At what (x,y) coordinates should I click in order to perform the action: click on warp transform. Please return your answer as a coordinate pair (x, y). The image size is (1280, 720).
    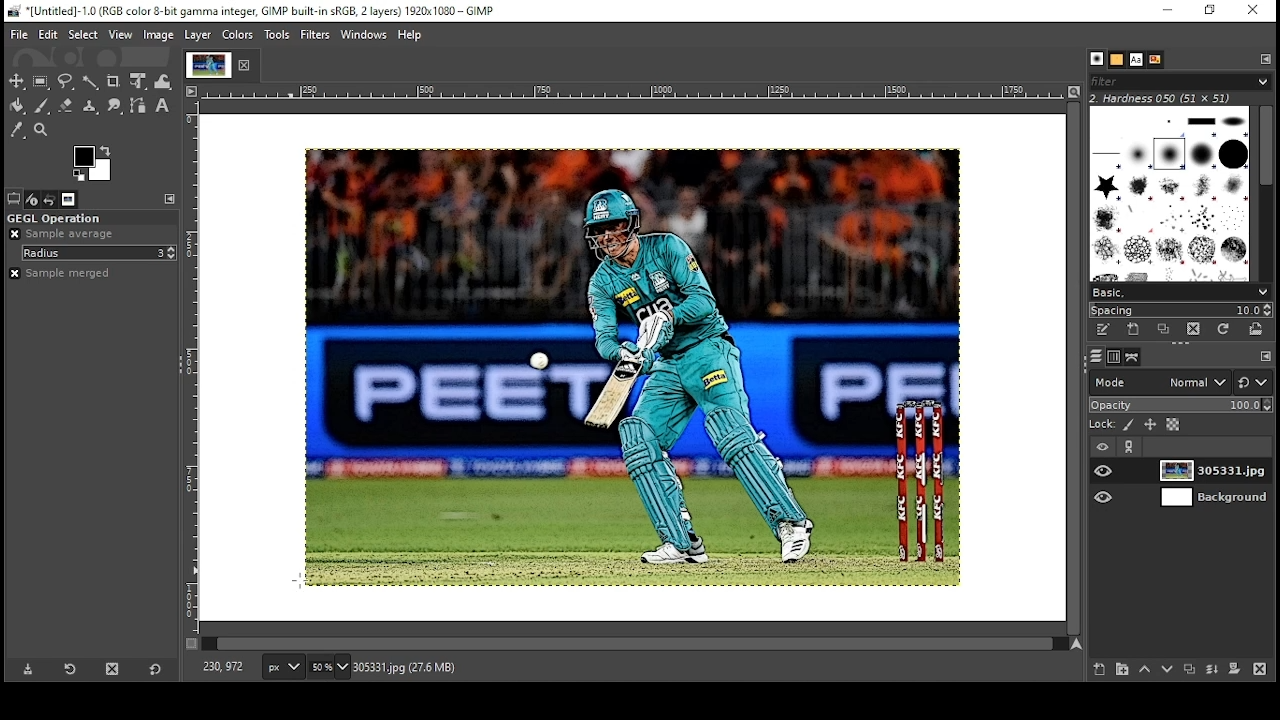
    Looking at the image, I should click on (163, 79).